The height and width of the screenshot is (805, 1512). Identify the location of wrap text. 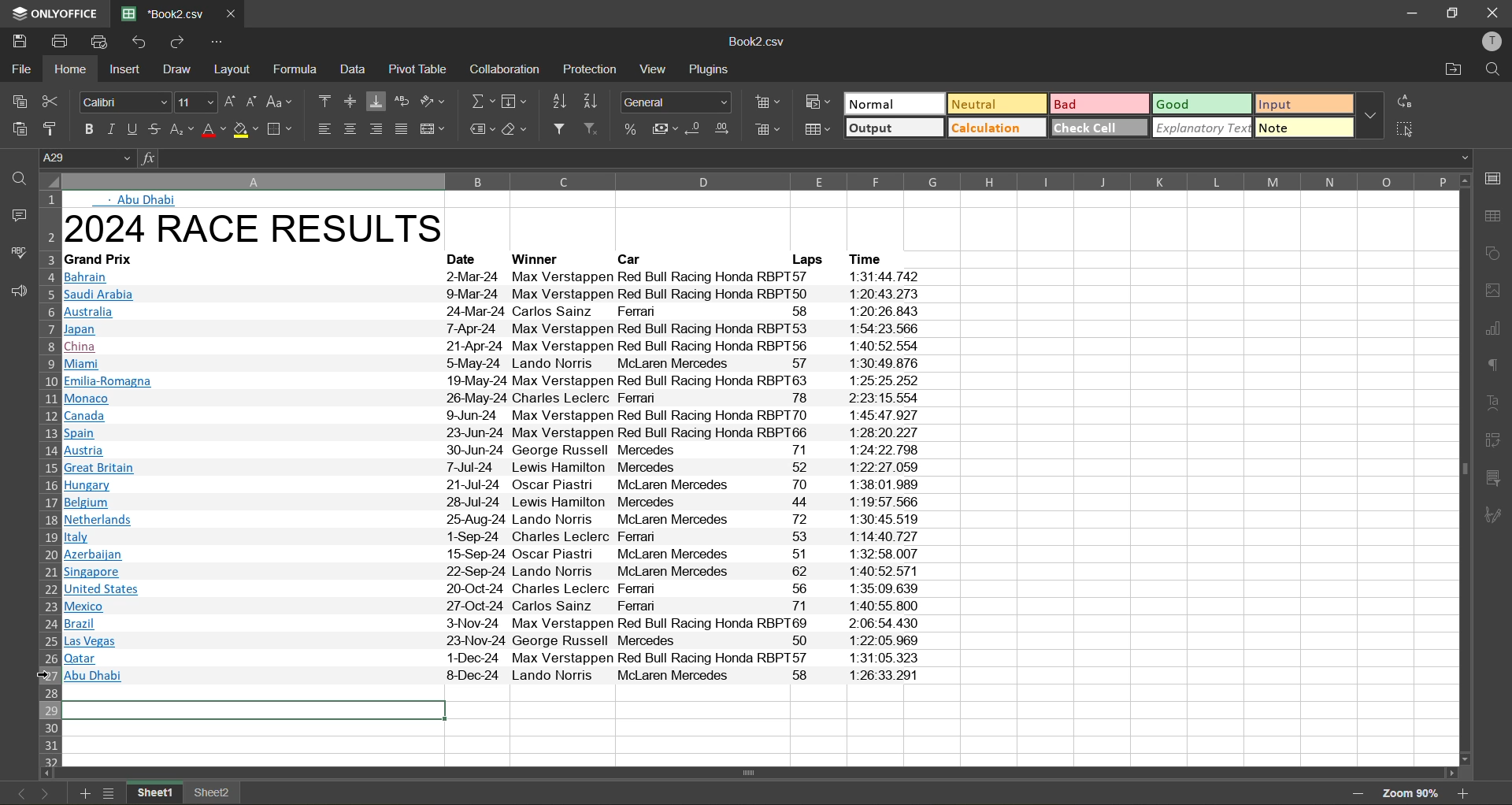
(402, 101).